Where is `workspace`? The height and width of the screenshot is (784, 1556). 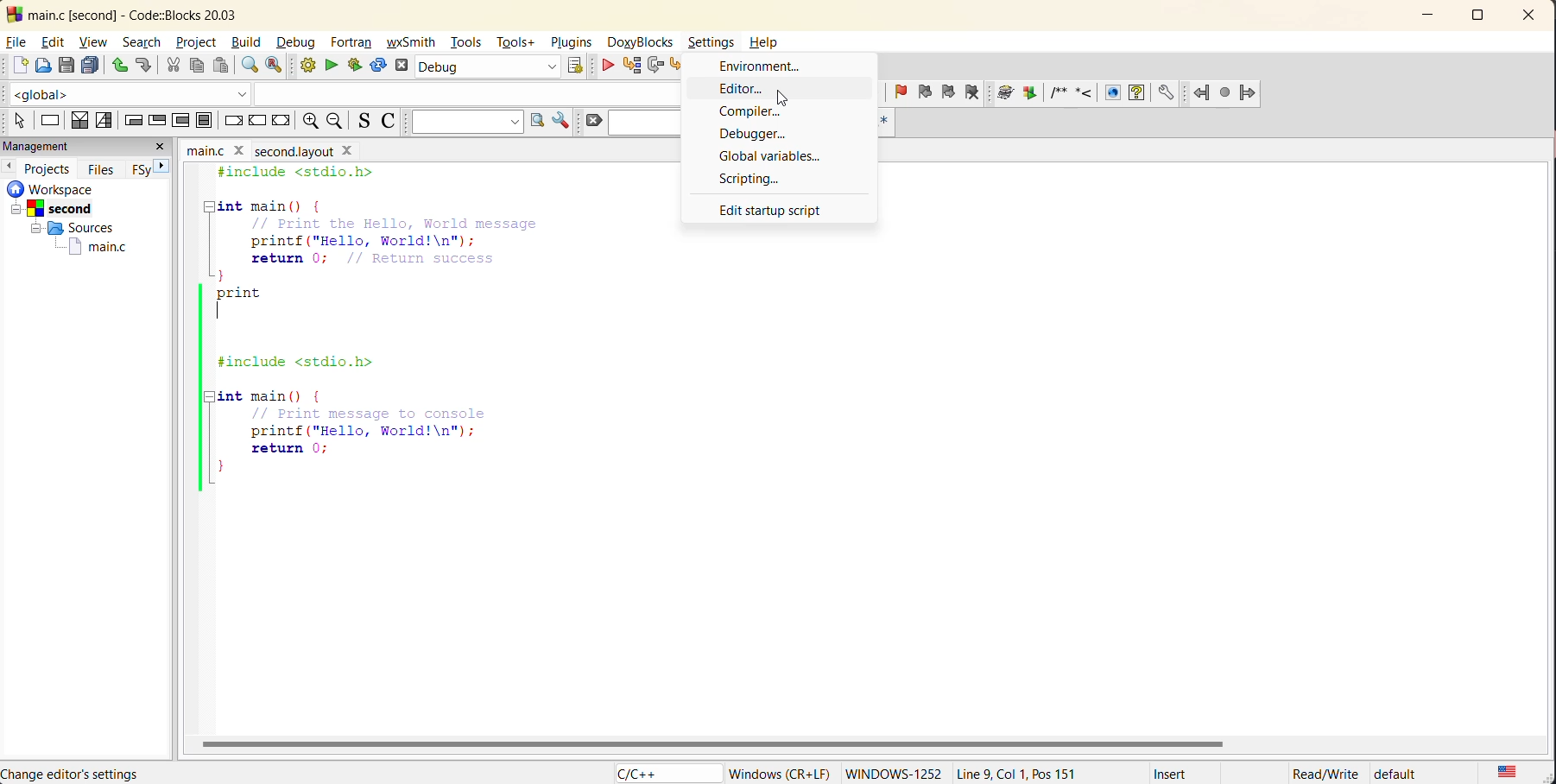
workspace is located at coordinates (78, 188).